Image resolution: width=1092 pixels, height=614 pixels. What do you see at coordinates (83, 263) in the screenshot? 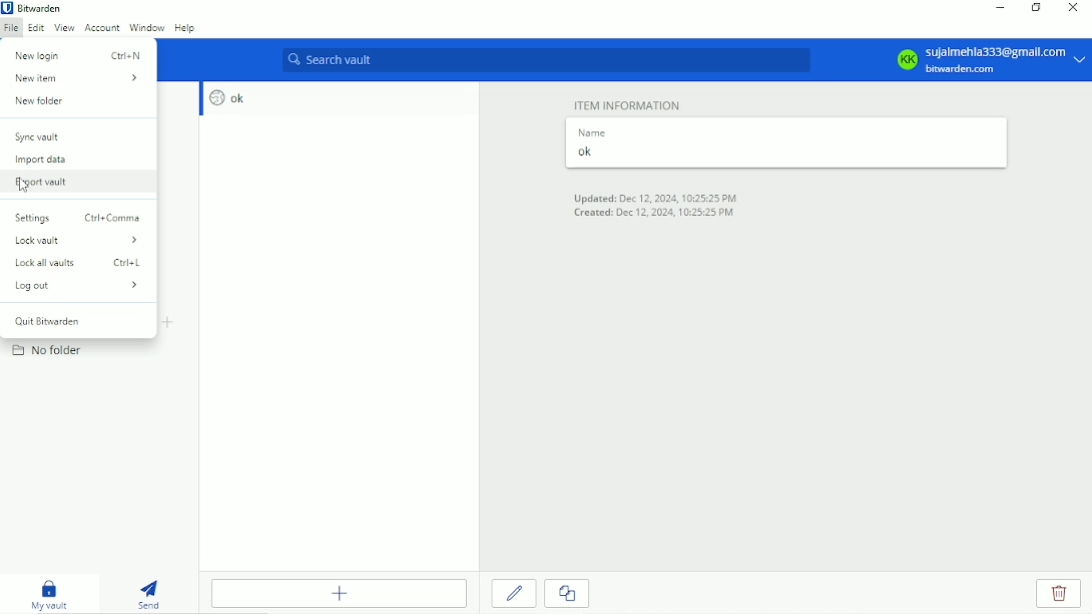
I see `Lock all vaults` at bounding box center [83, 263].